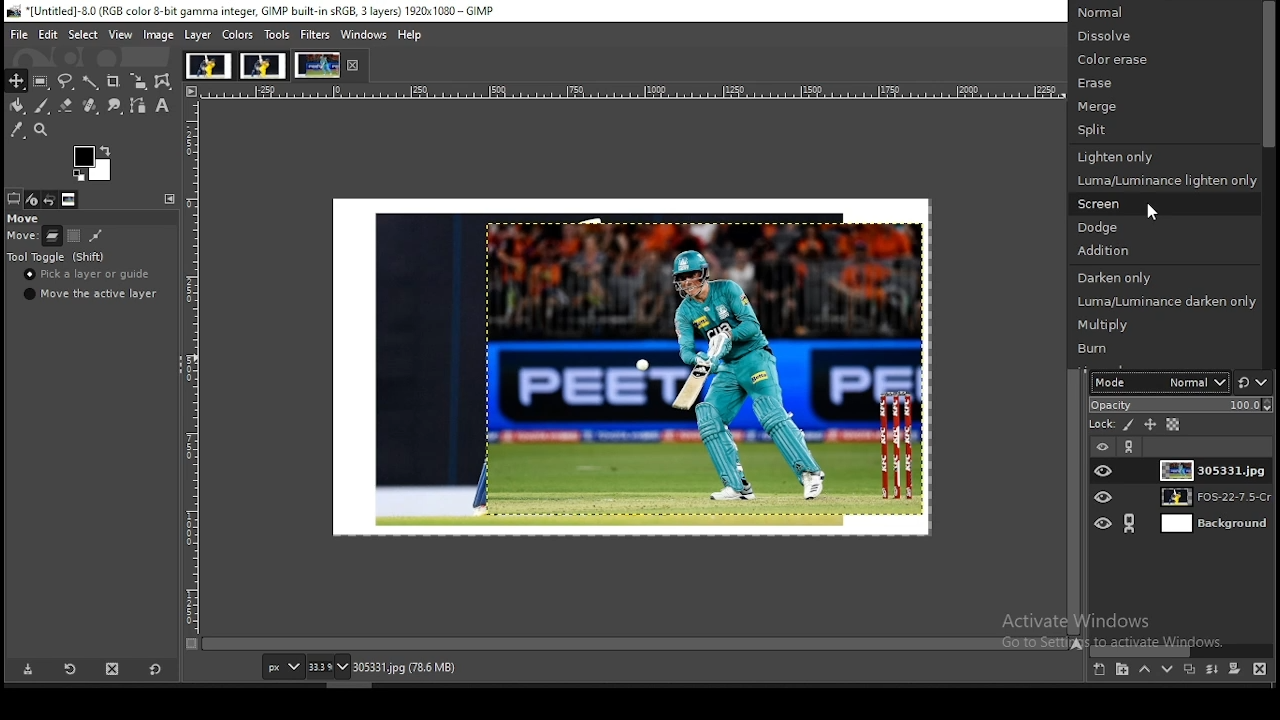  I want to click on mouse pointer, so click(1151, 211).